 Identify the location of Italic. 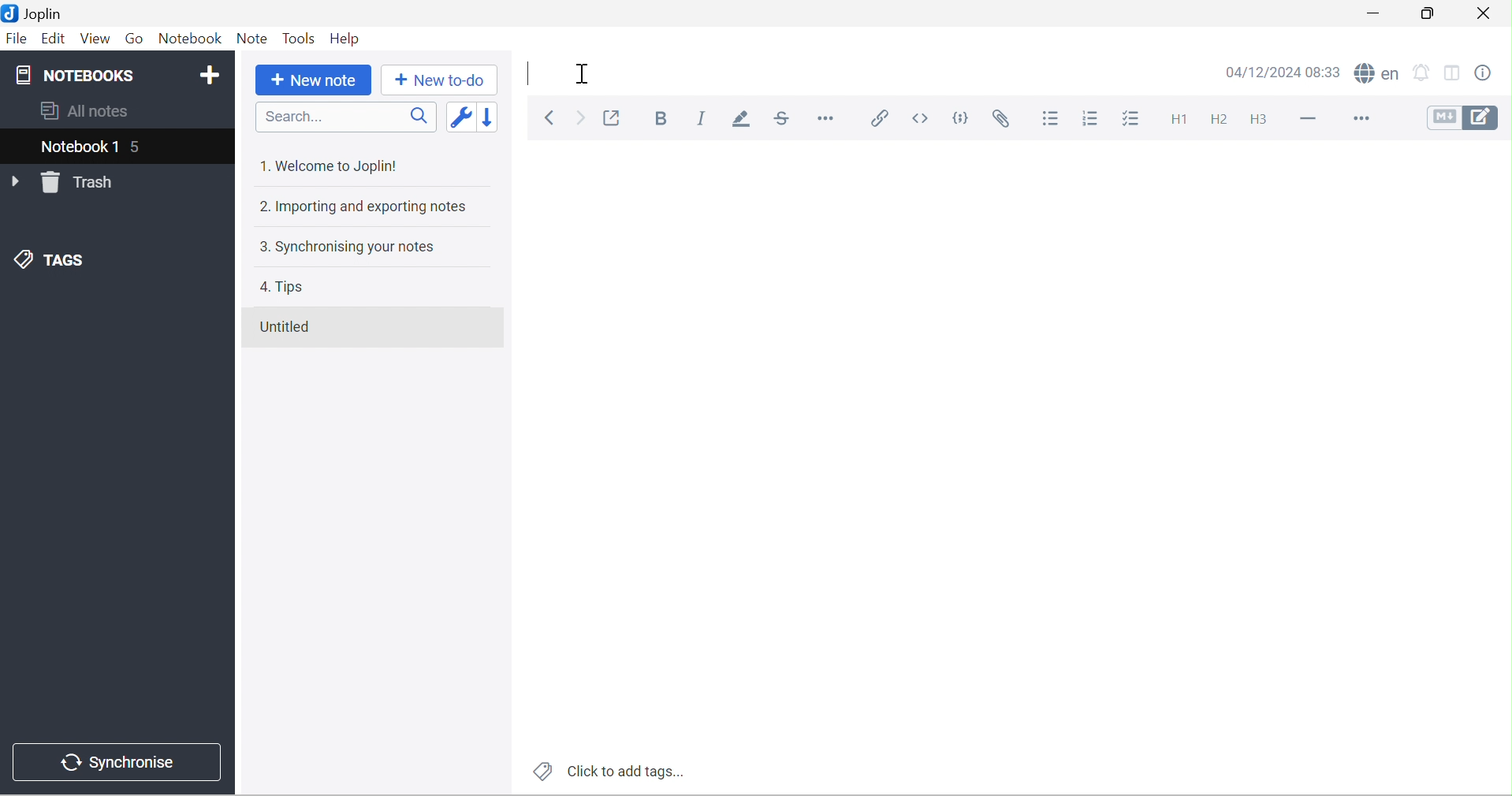
(705, 117).